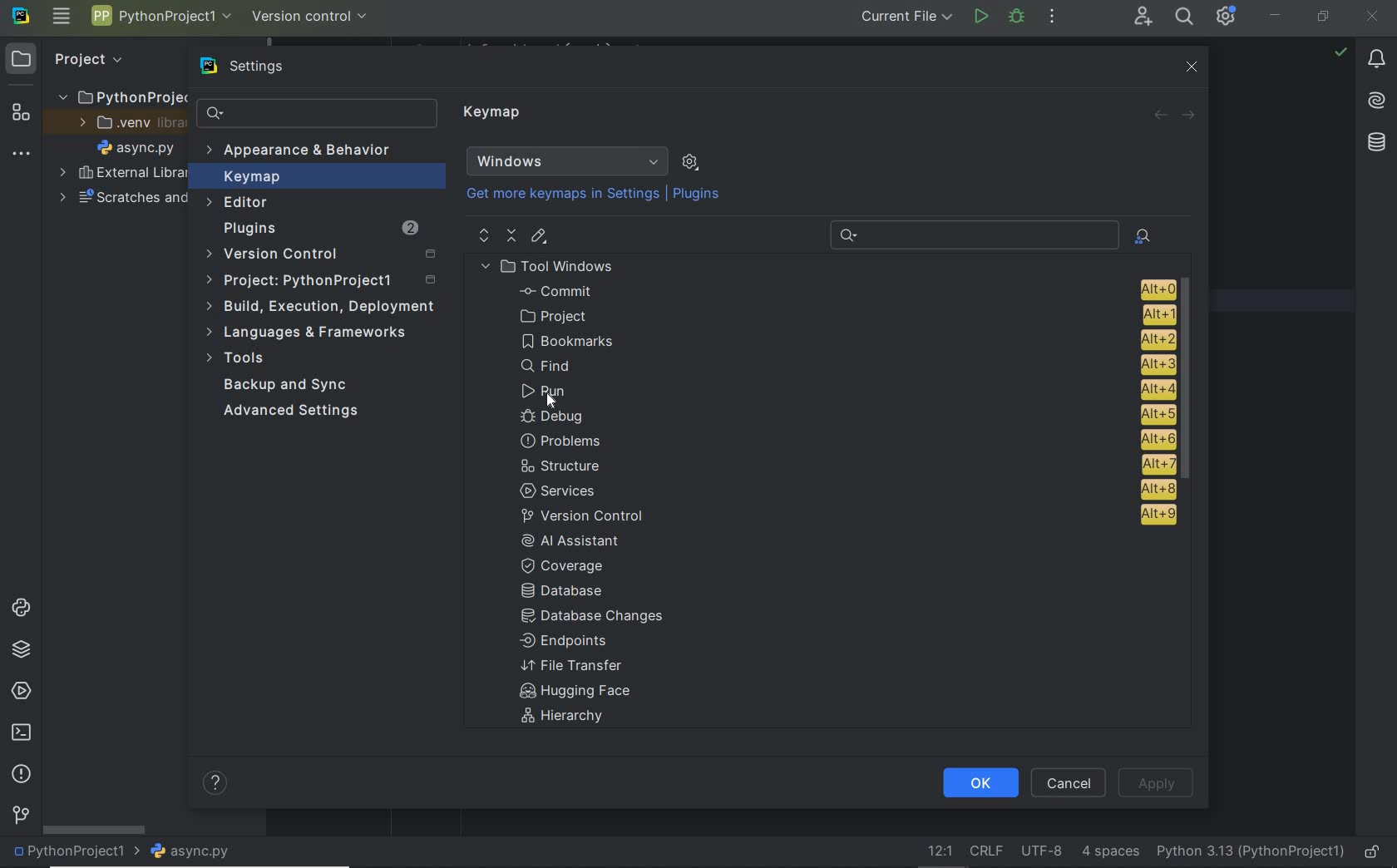  What do you see at coordinates (698, 195) in the screenshot?
I see `Plugins` at bounding box center [698, 195].